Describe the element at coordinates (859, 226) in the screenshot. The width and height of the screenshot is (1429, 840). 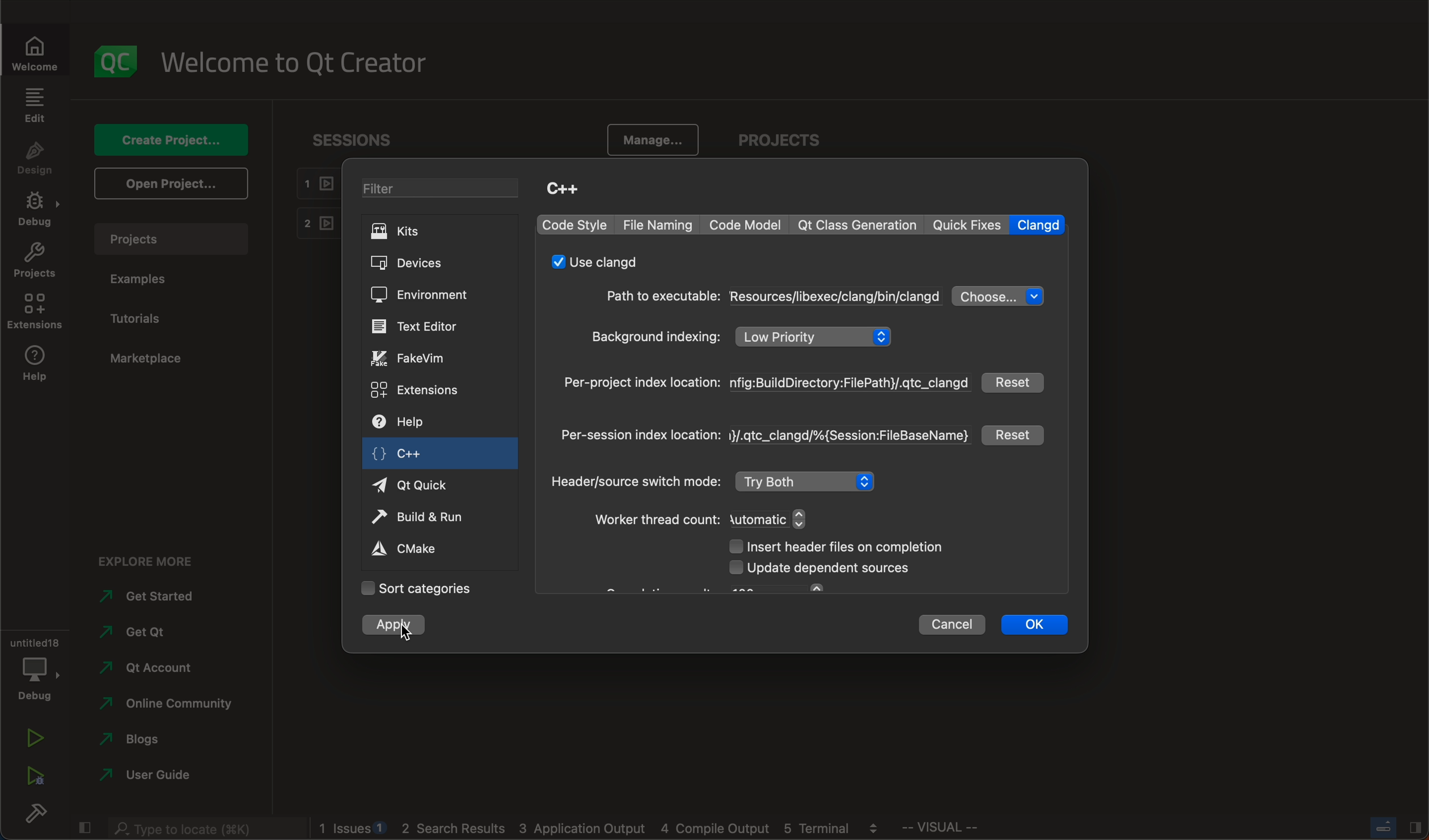
I see `qt` at that location.